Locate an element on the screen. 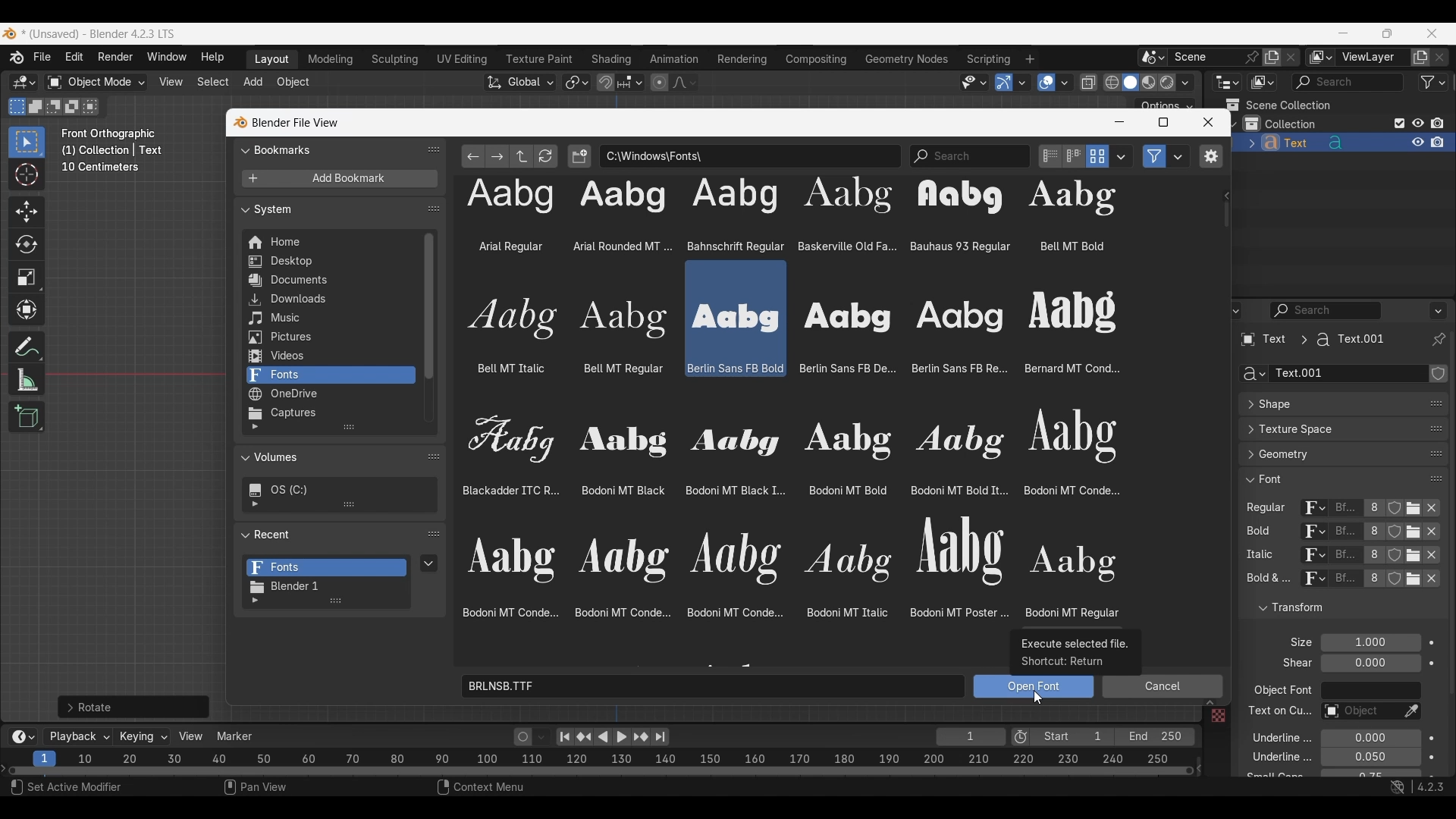  Selected font highlighted is located at coordinates (734, 318).